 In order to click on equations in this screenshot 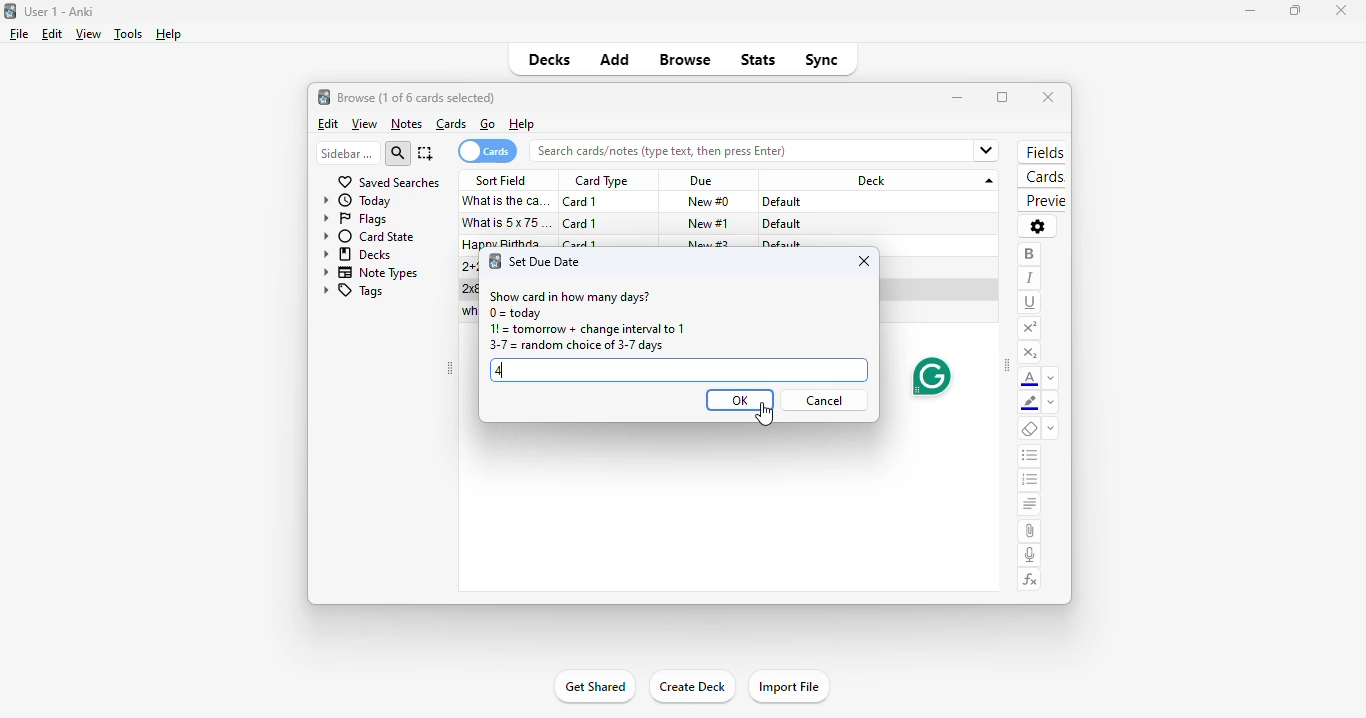, I will do `click(1031, 580)`.